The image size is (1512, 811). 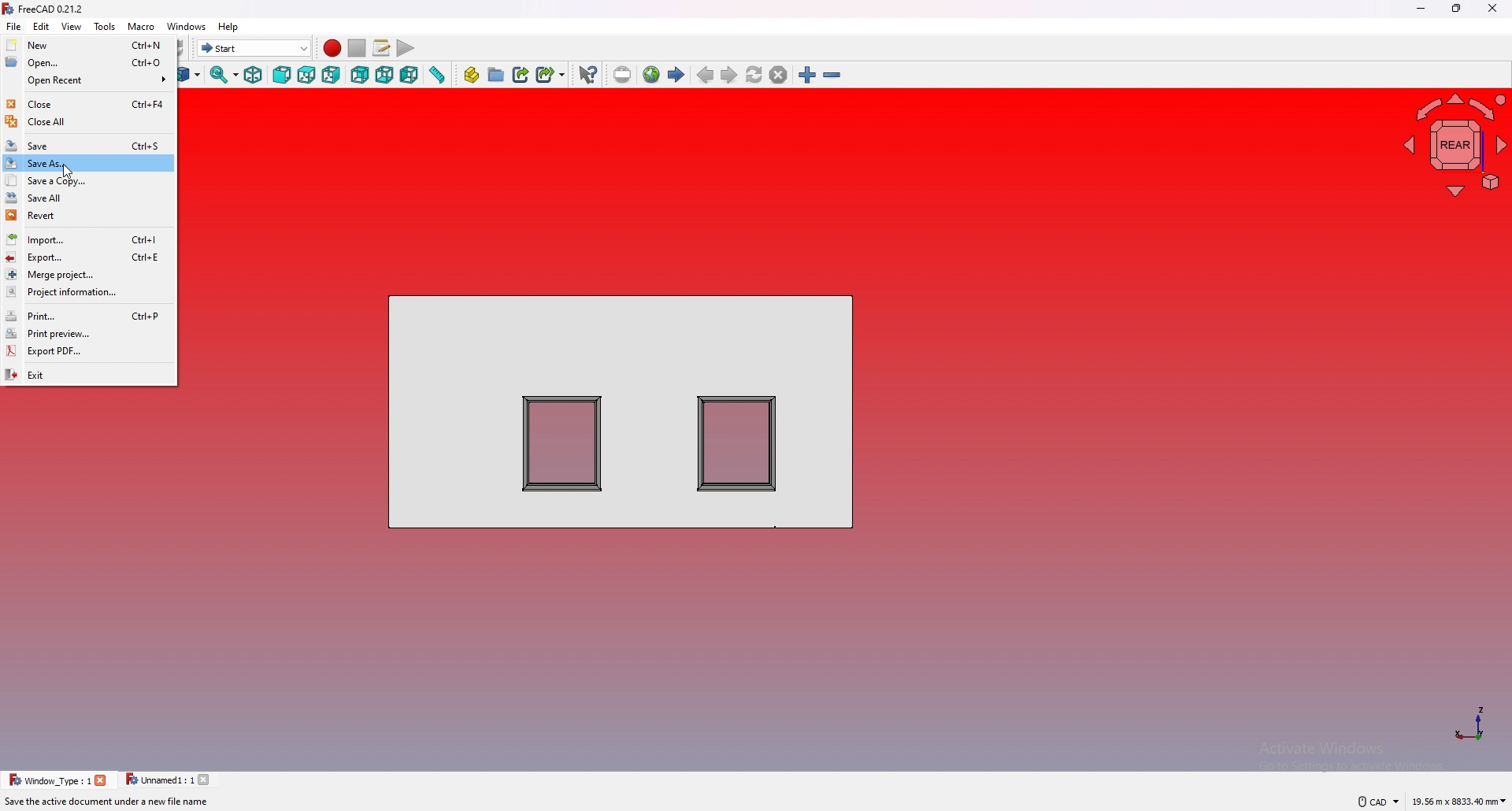 What do you see at coordinates (104, 25) in the screenshot?
I see `tools` at bounding box center [104, 25].